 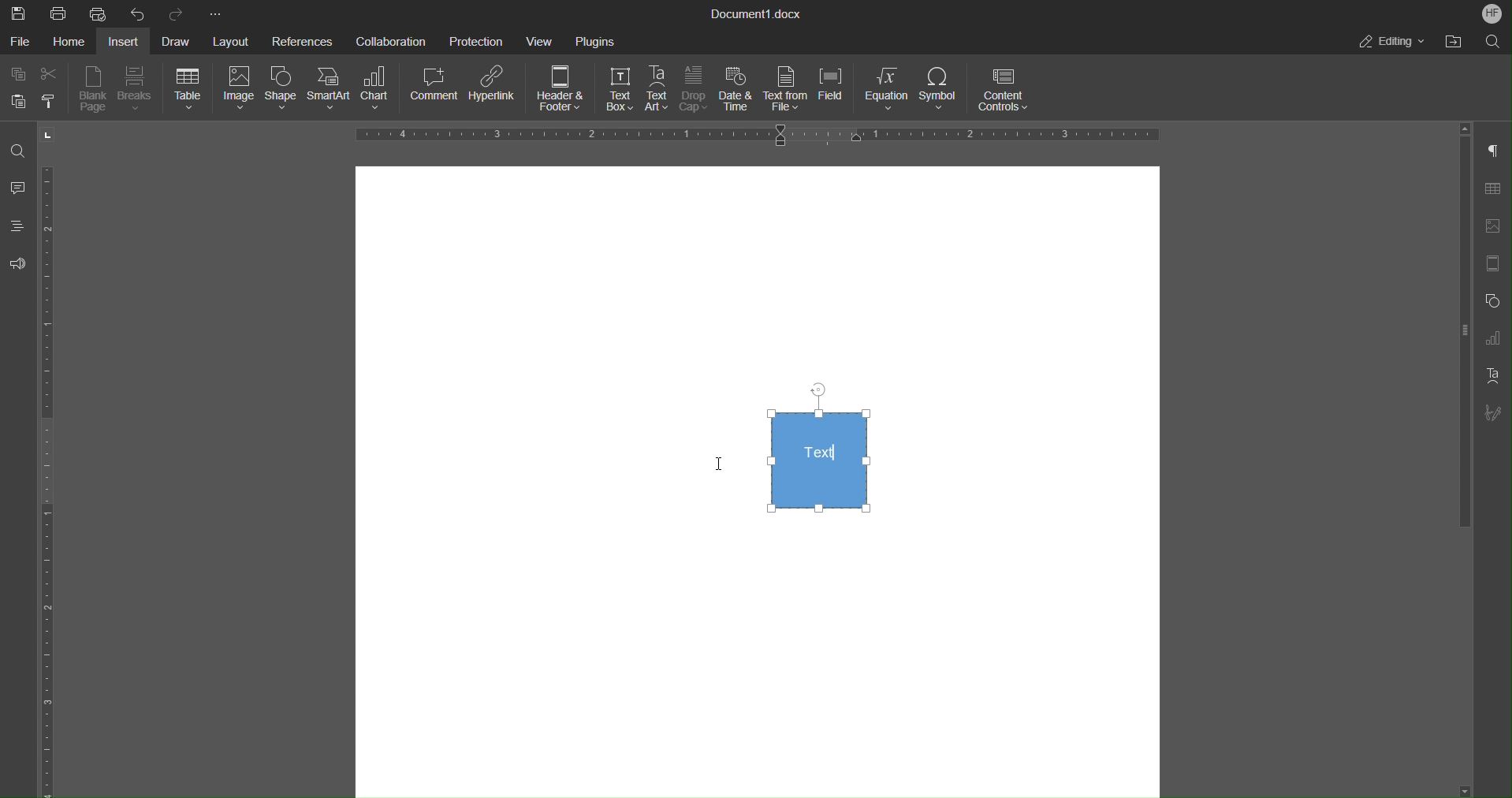 I want to click on Breaks, so click(x=137, y=91).